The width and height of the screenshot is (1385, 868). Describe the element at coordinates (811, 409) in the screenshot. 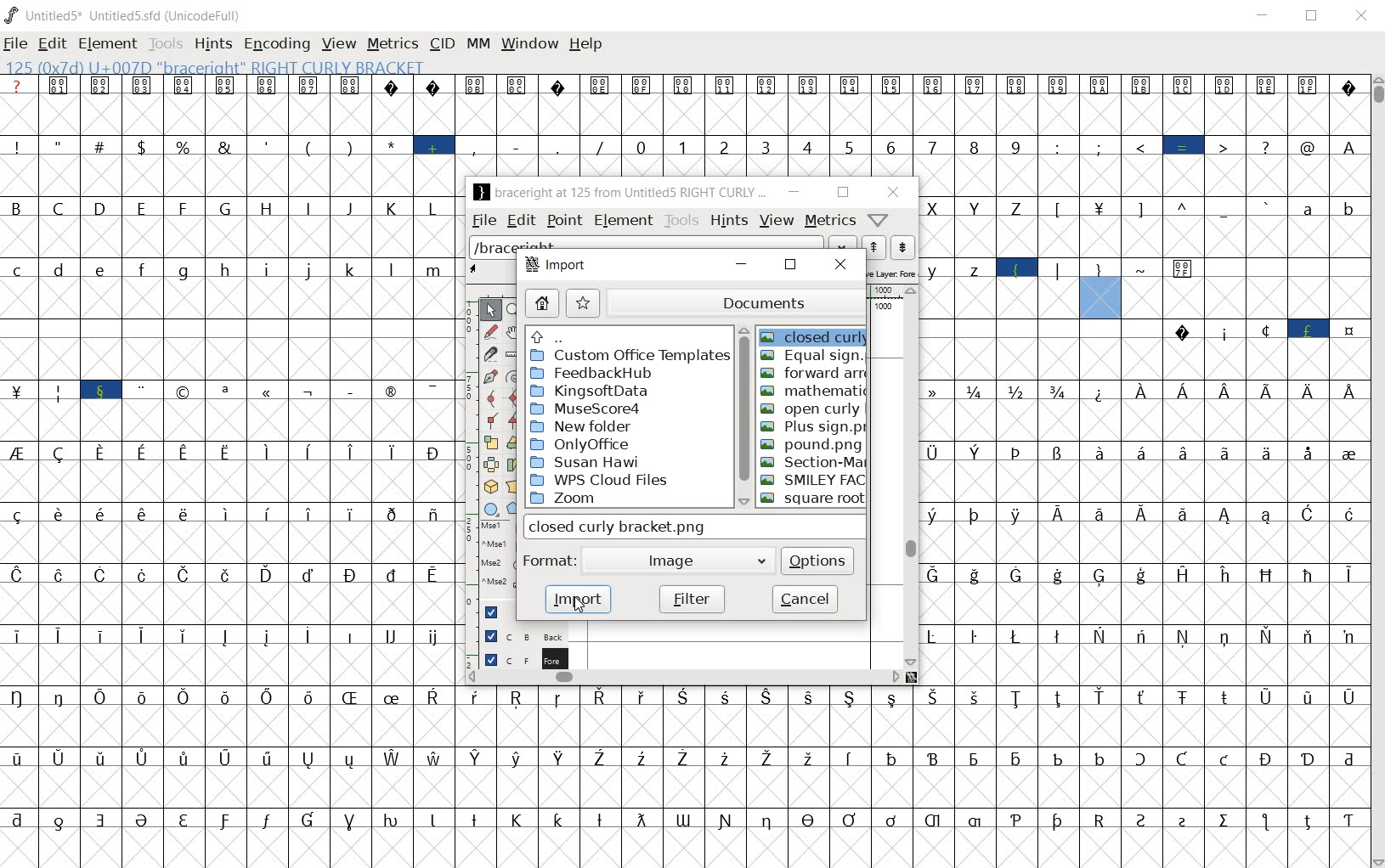

I see `open curly` at that location.